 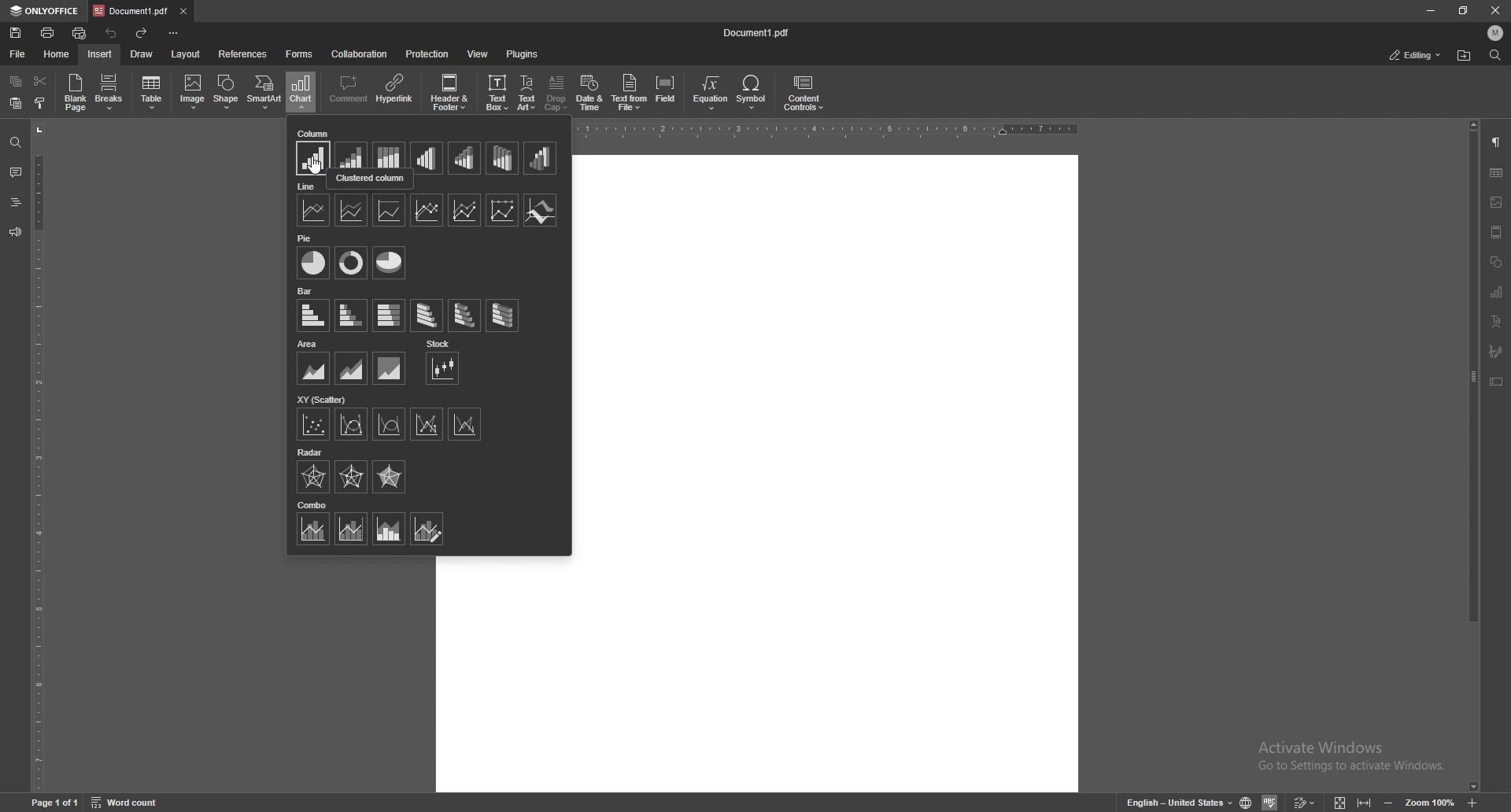 What do you see at coordinates (244, 54) in the screenshot?
I see `references` at bounding box center [244, 54].